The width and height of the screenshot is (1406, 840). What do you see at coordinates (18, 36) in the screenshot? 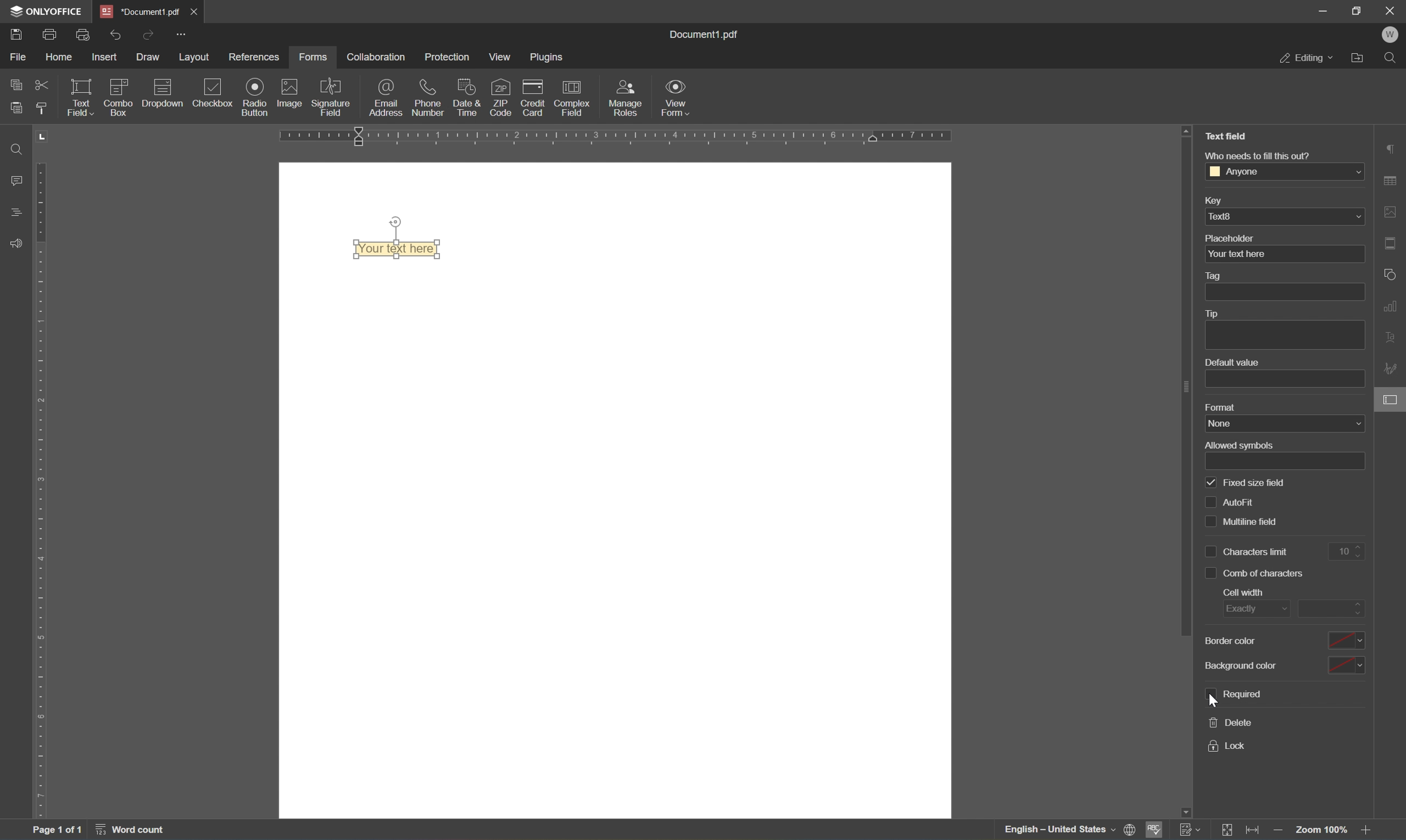
I see `save` at bounding box center [18, 36].